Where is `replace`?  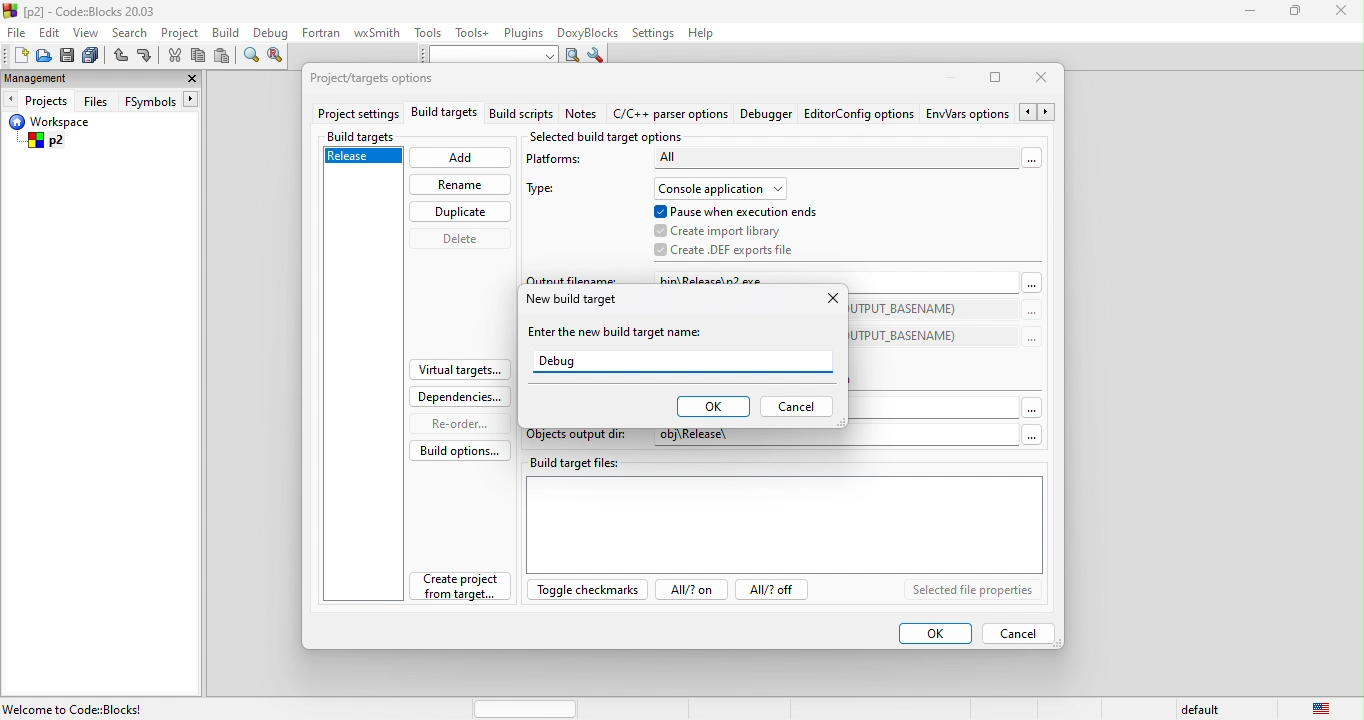 replace is located at coordinates (279, 56).